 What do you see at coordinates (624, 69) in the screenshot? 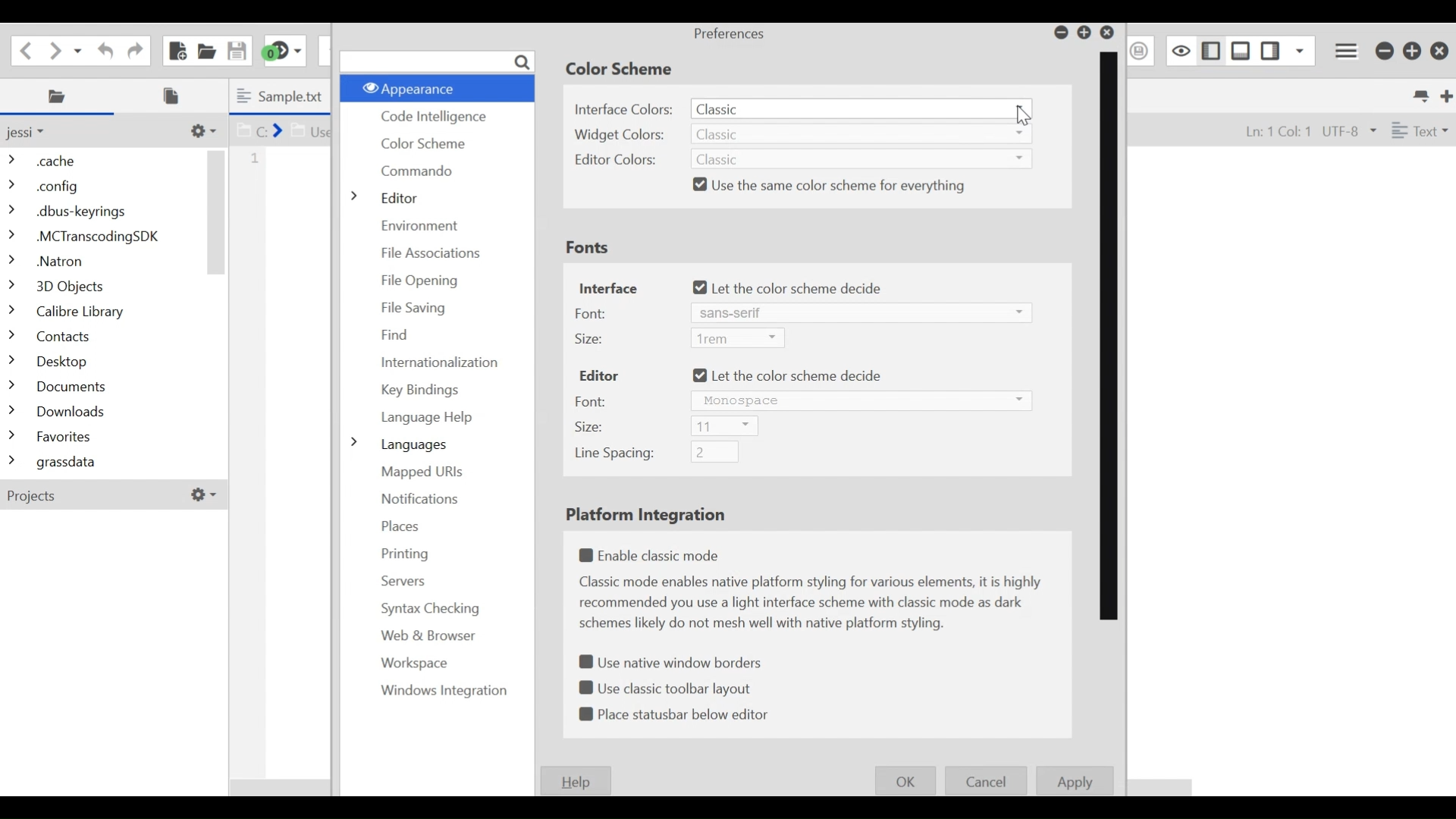
I see `Color Scheme` at bounding box center [624, 69].